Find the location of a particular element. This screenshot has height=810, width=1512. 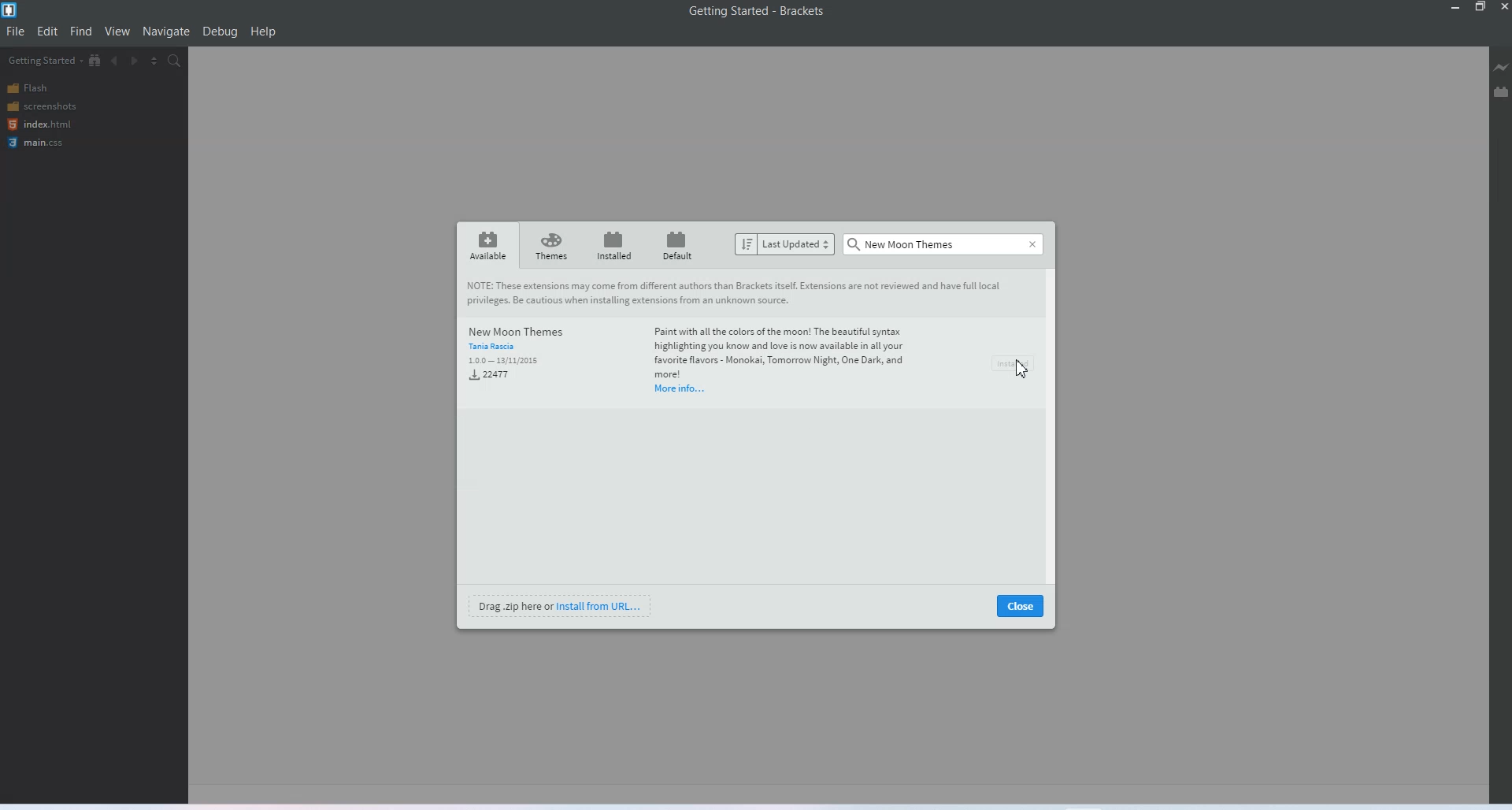

Available is located at coordinates (487, 244).